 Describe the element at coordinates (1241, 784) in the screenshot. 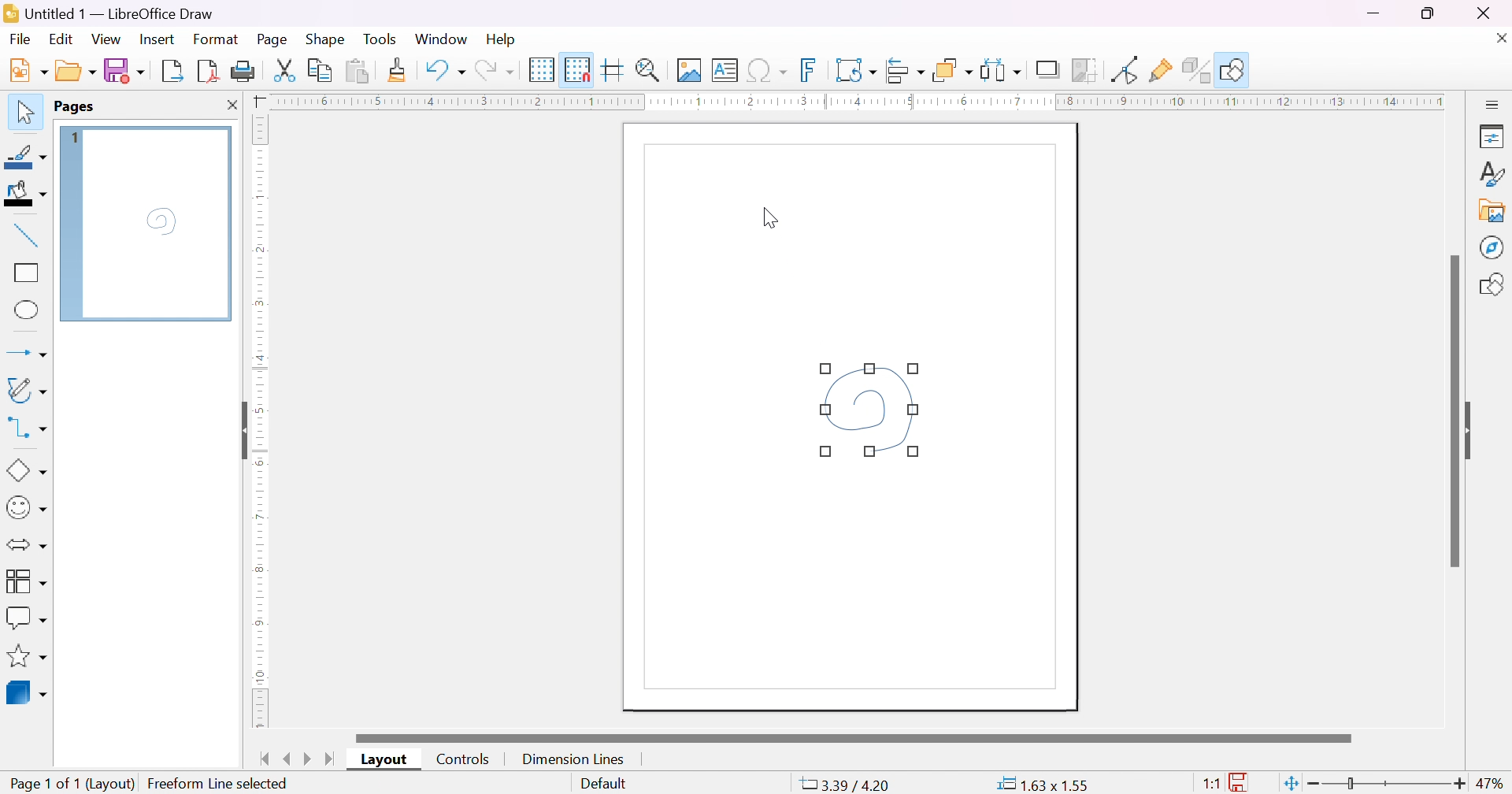

I see `the documents has not been modified since the last file.` at that location.